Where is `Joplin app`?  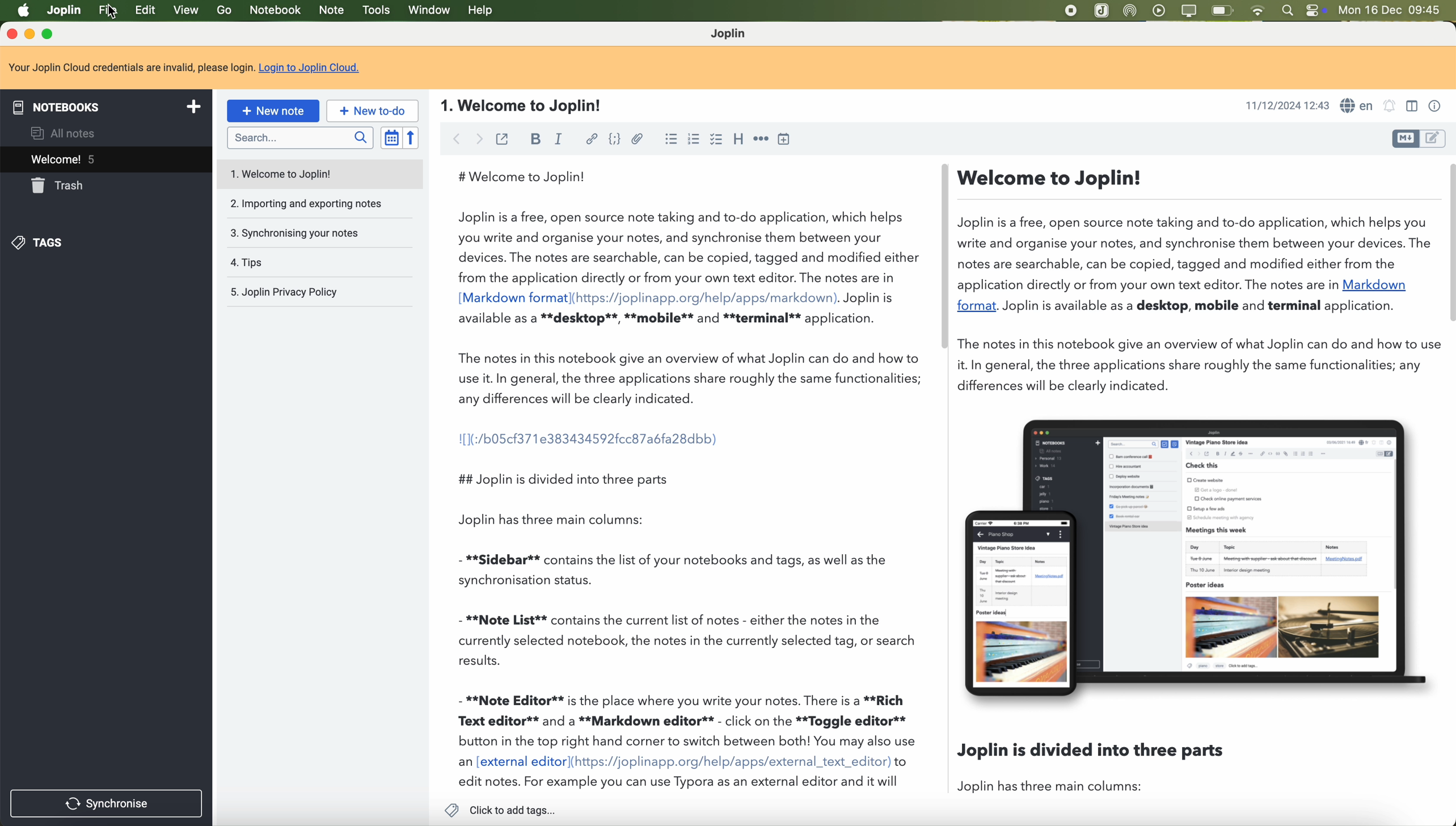
Joplin app is located at coordinates (1102, 12).